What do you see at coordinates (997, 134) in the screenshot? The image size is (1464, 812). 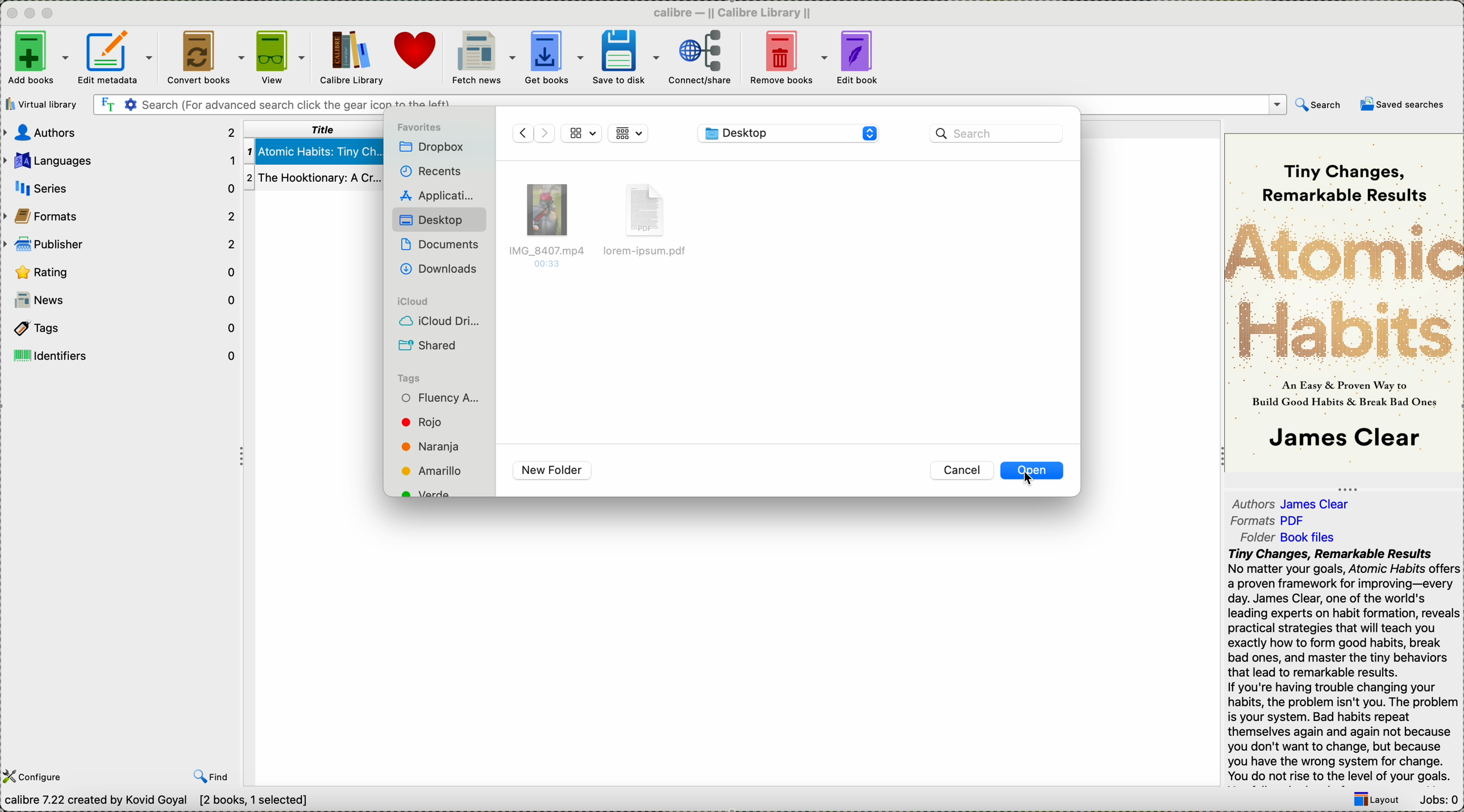 I see `search bar` at bounding box center [997, 134].